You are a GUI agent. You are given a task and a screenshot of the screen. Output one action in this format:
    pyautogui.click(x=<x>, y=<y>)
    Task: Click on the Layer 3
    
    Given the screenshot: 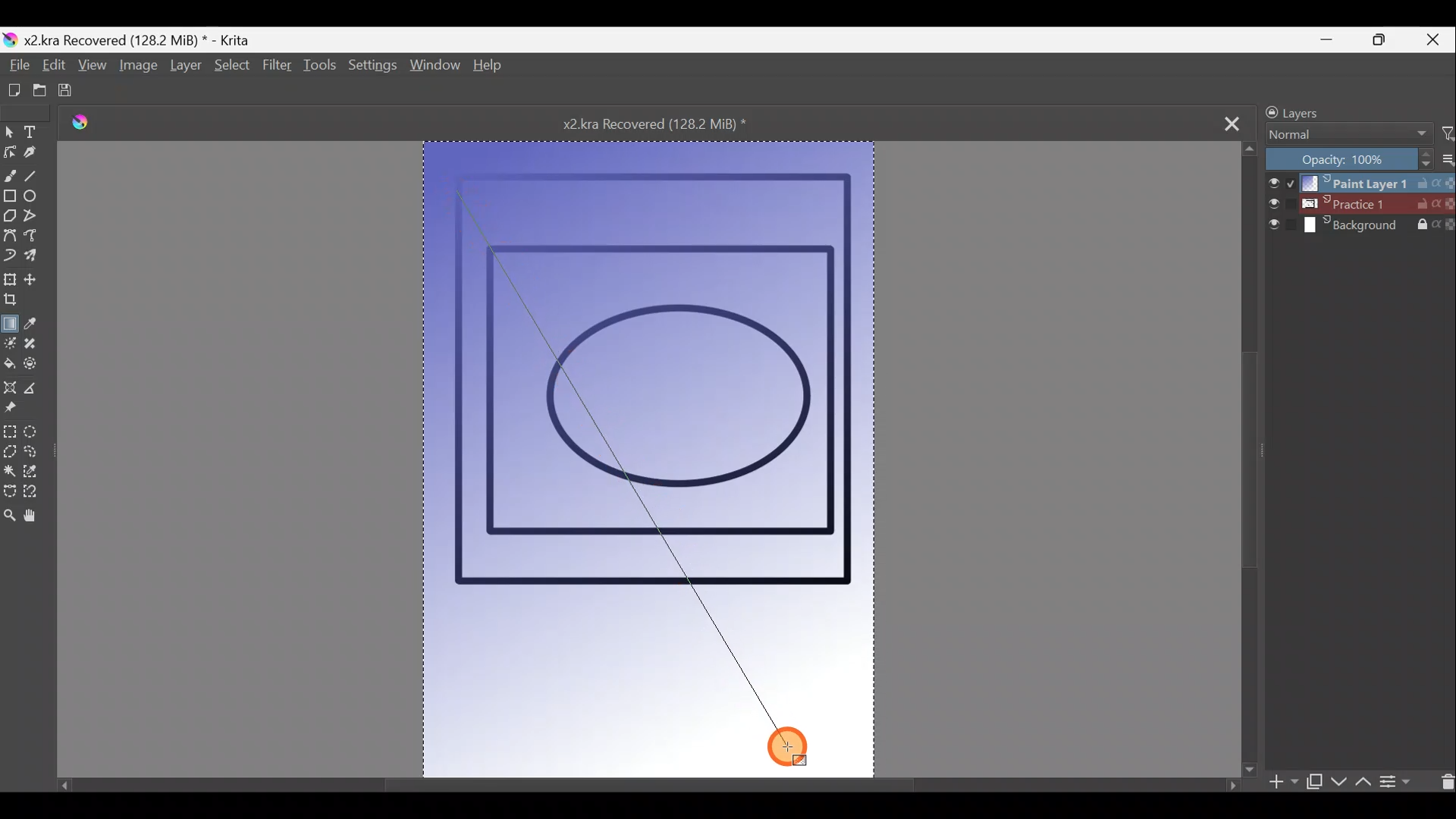 What is the action you would take?
    pyautogui.click(x=1360, y=227)
    